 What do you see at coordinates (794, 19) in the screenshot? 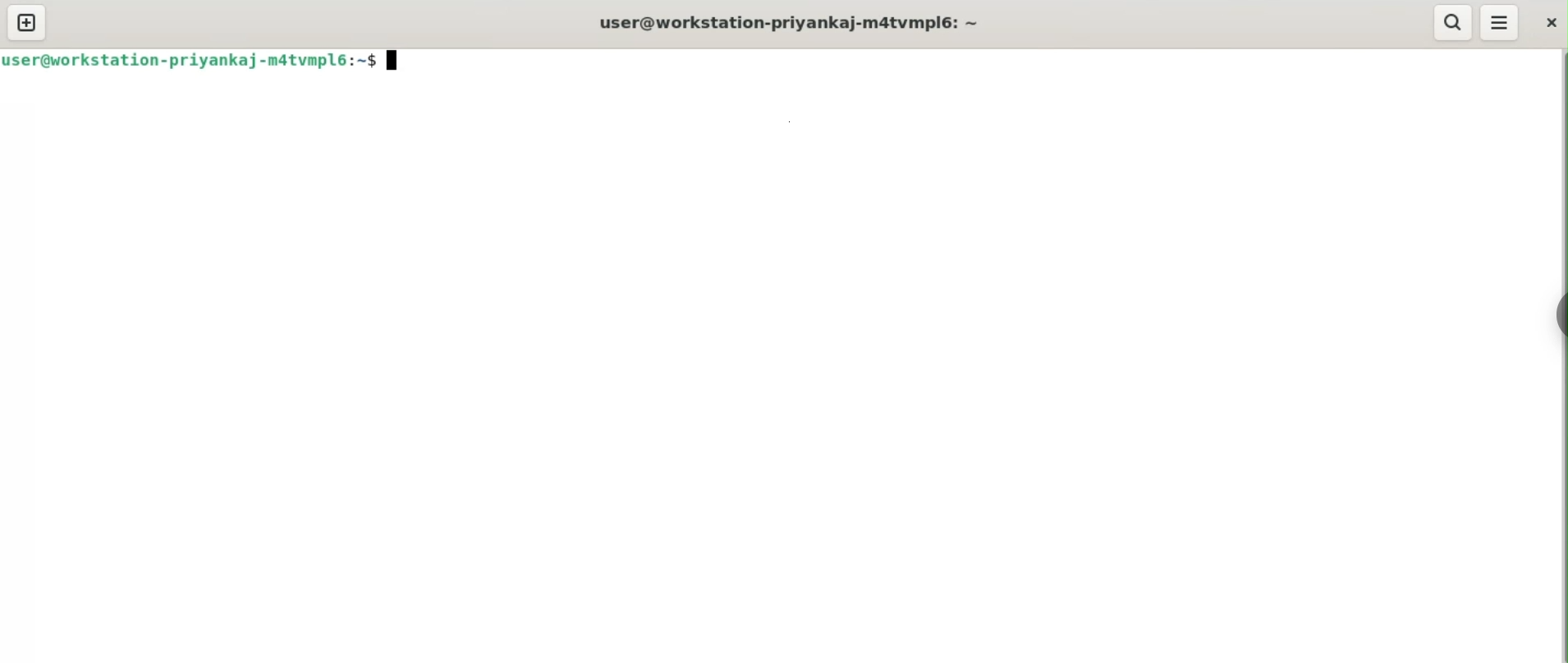
I see `user@workstation-priyankaj-m4tvmpl6:~` at bounding box center [794, 19].